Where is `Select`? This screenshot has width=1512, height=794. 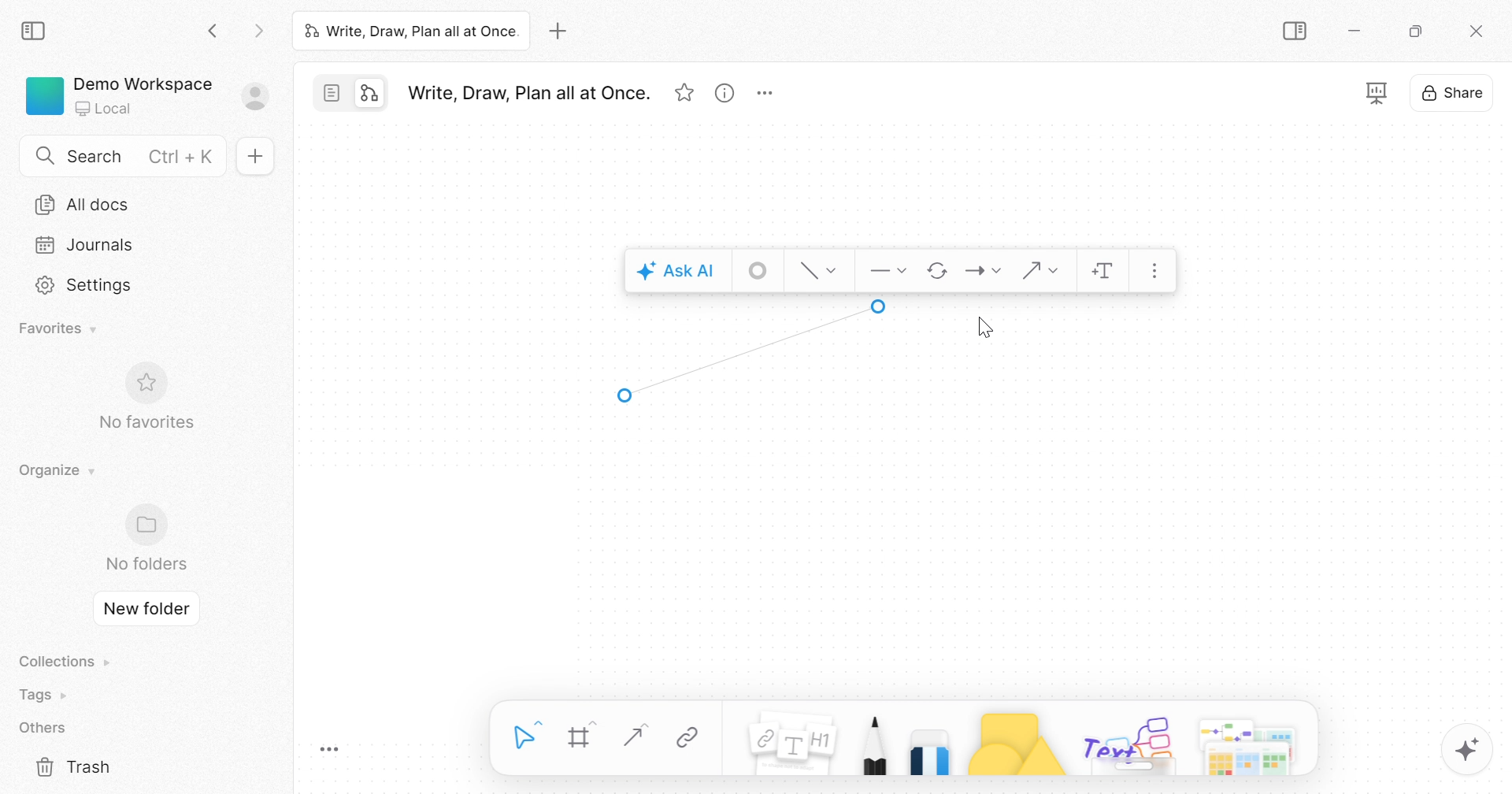 Select is located at coordinates (527, 736).